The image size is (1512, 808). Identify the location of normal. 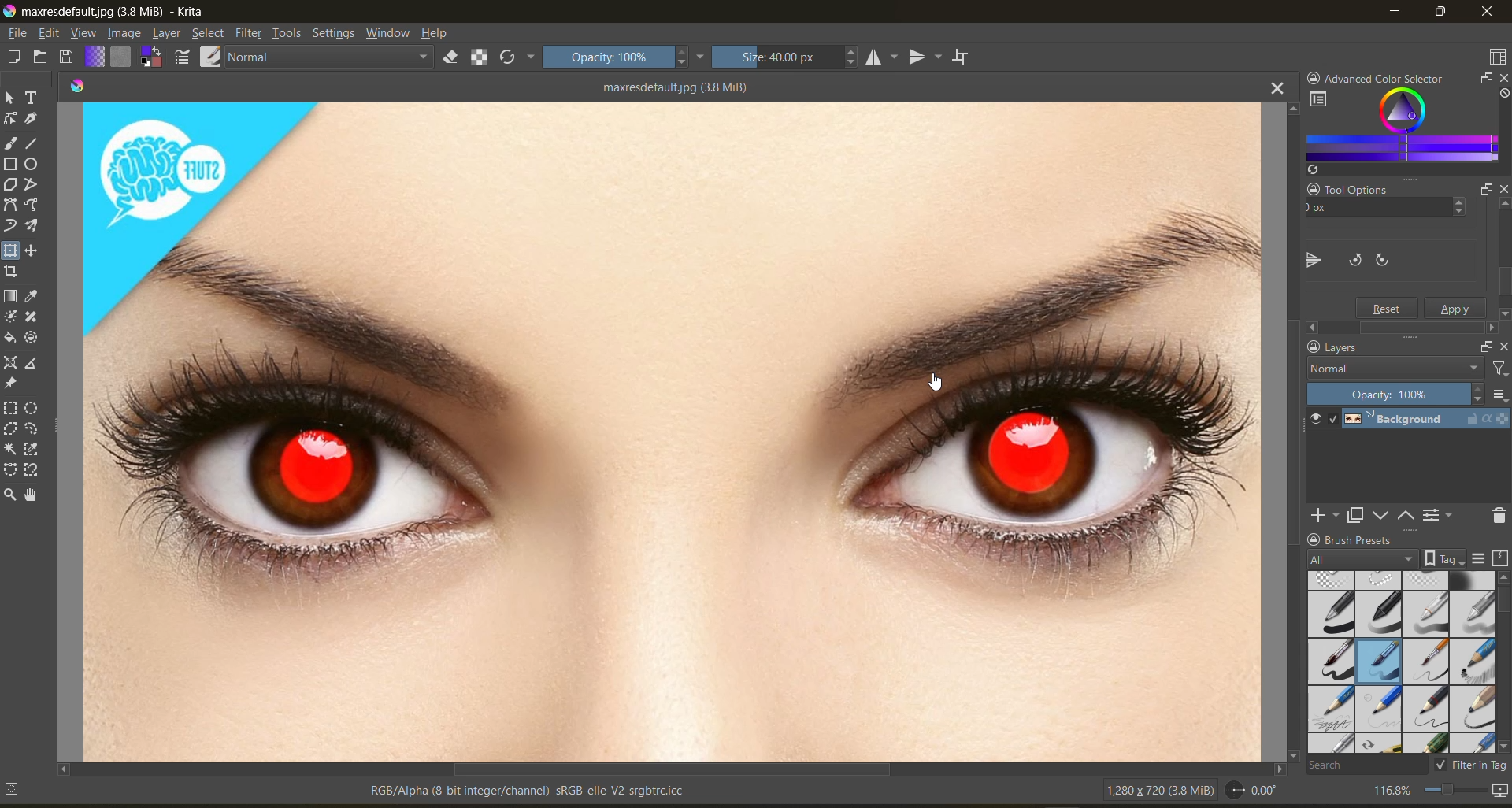
(335, 57).